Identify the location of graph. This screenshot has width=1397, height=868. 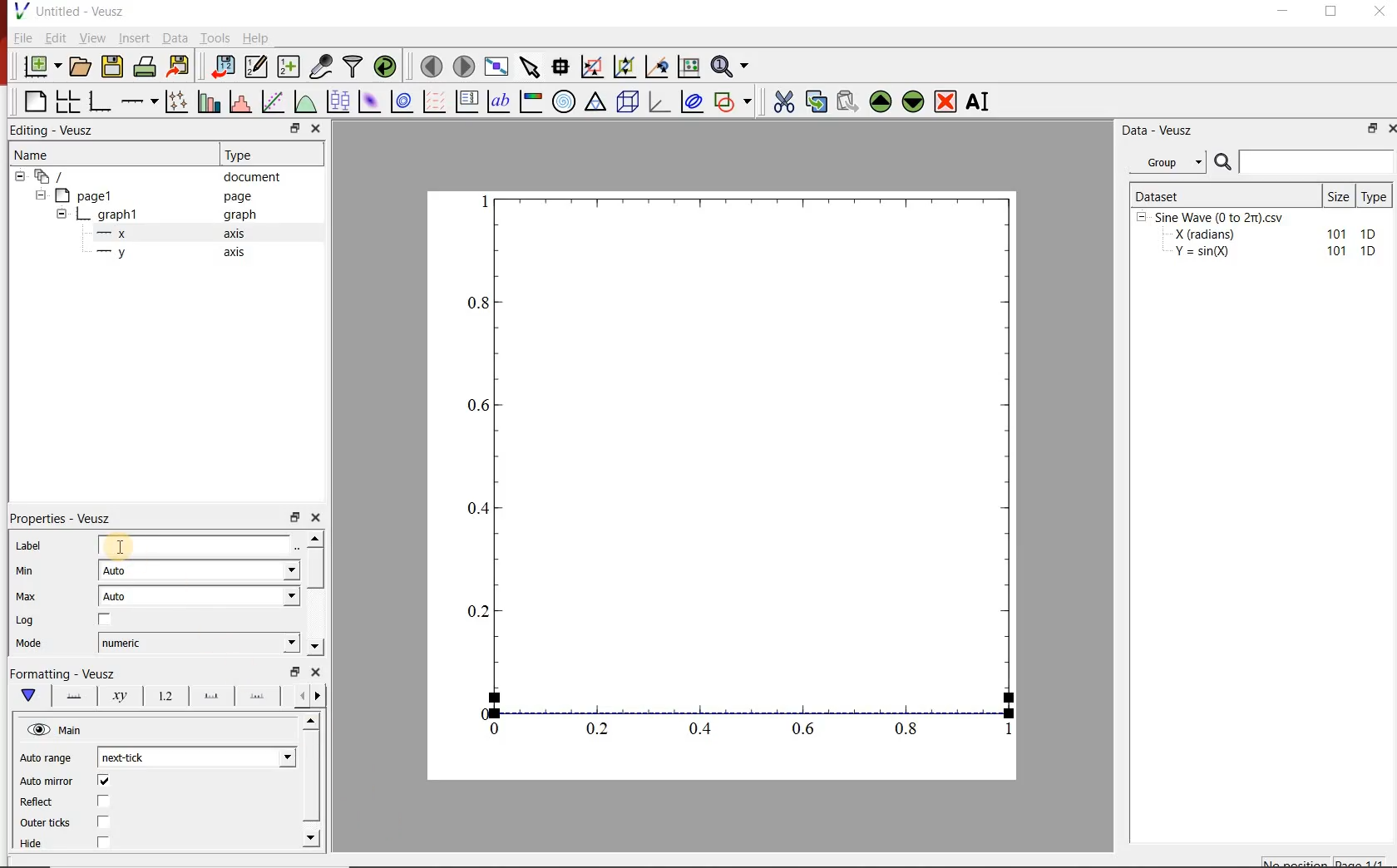
(238, 214).